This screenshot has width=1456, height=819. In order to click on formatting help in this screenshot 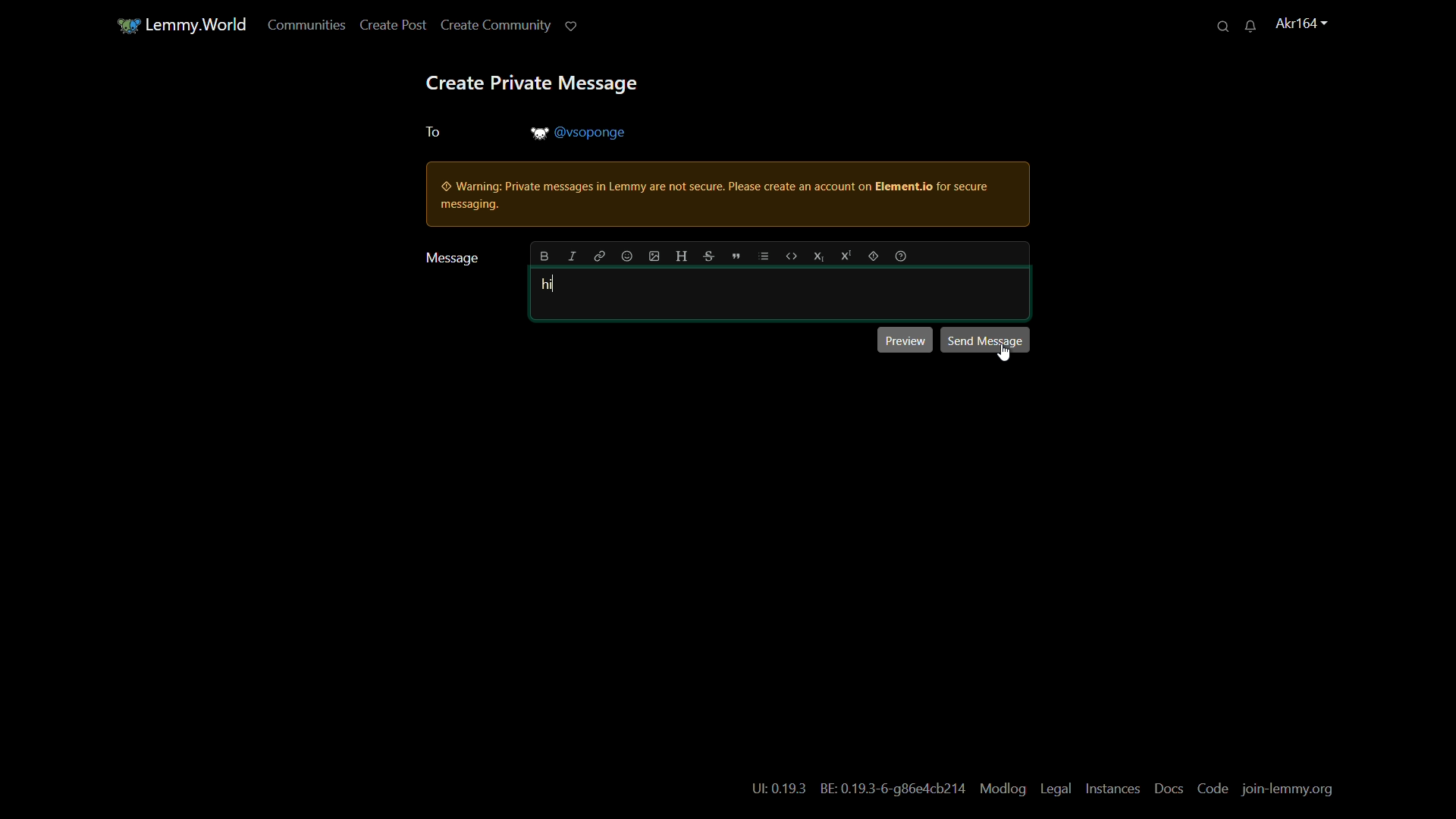, I will do `click(903, 256)`.